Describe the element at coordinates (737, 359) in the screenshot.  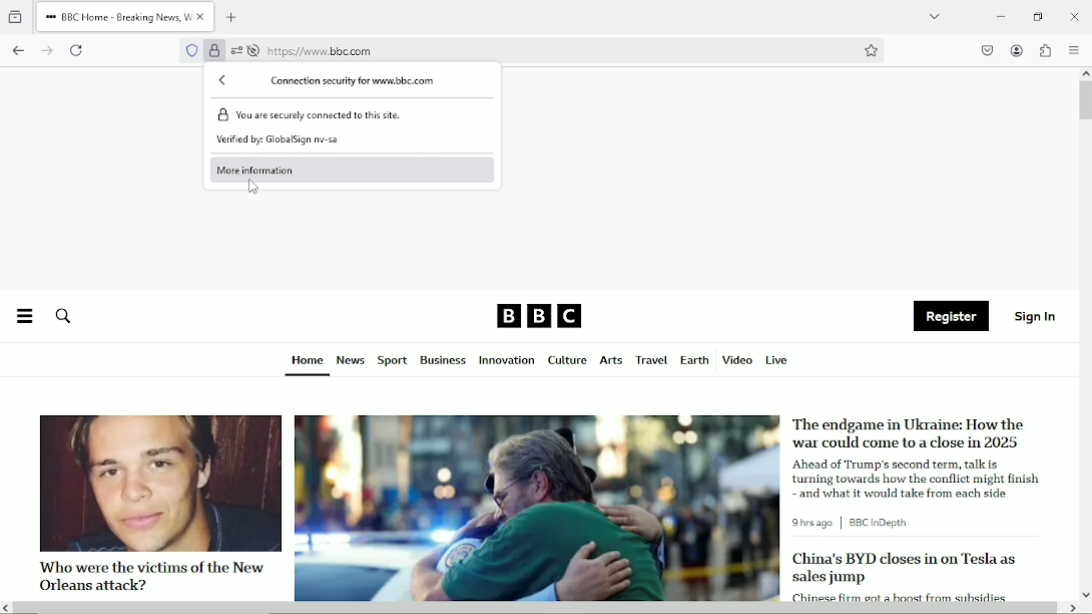
I see `Video` at that location.